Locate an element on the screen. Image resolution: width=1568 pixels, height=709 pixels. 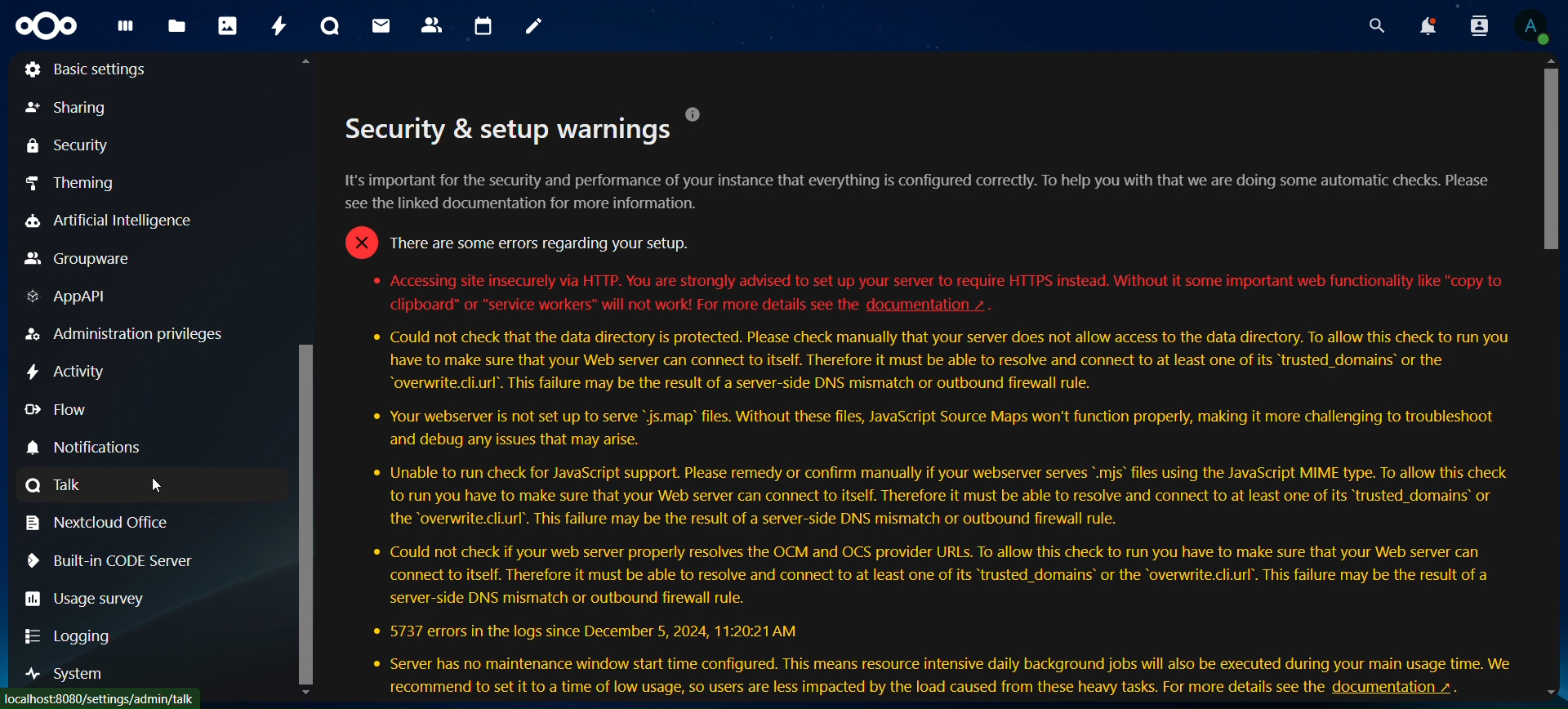
search contacts is located at coordinates (1472, 25).